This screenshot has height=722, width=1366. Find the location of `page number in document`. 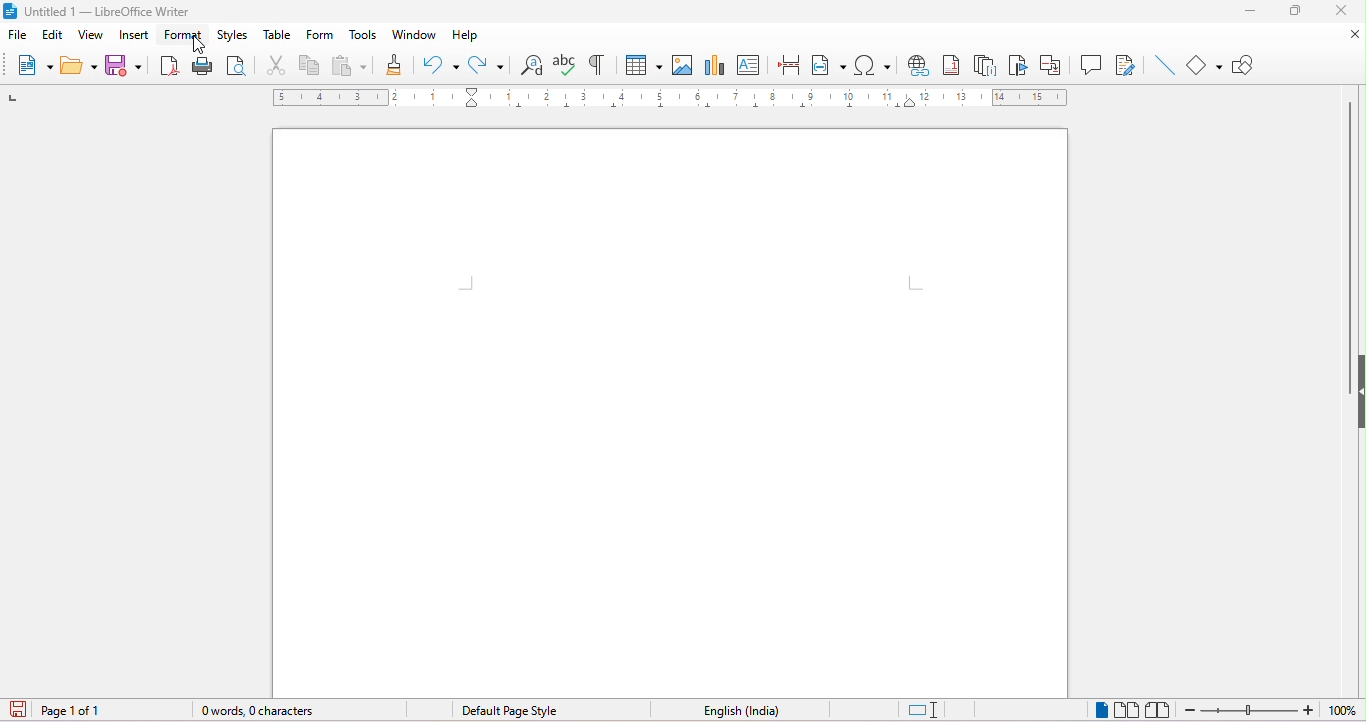

page number in document is located at coordinates (74, 710).